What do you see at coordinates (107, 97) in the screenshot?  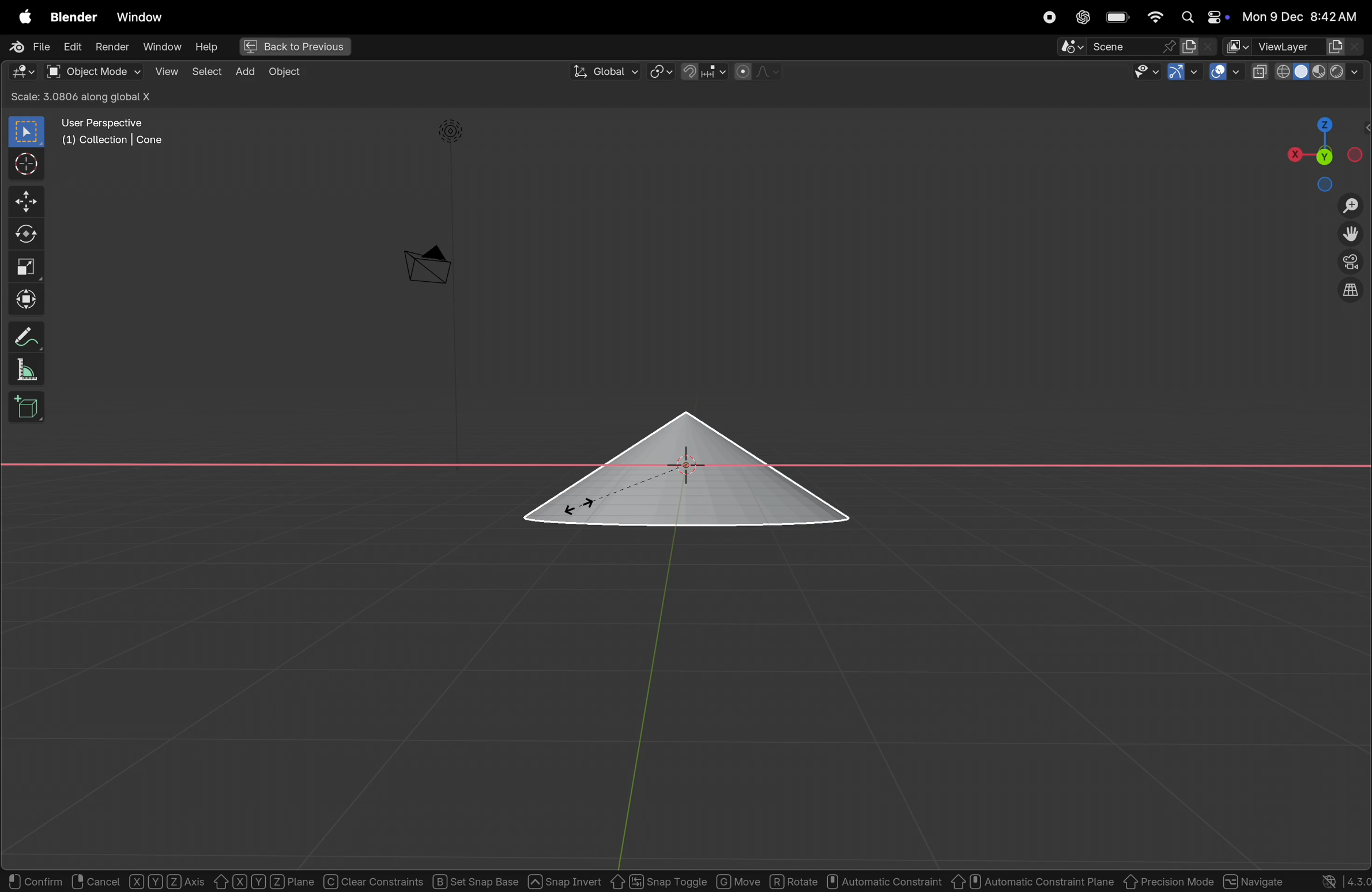 I see `mode` at bounding box center [107, 97].